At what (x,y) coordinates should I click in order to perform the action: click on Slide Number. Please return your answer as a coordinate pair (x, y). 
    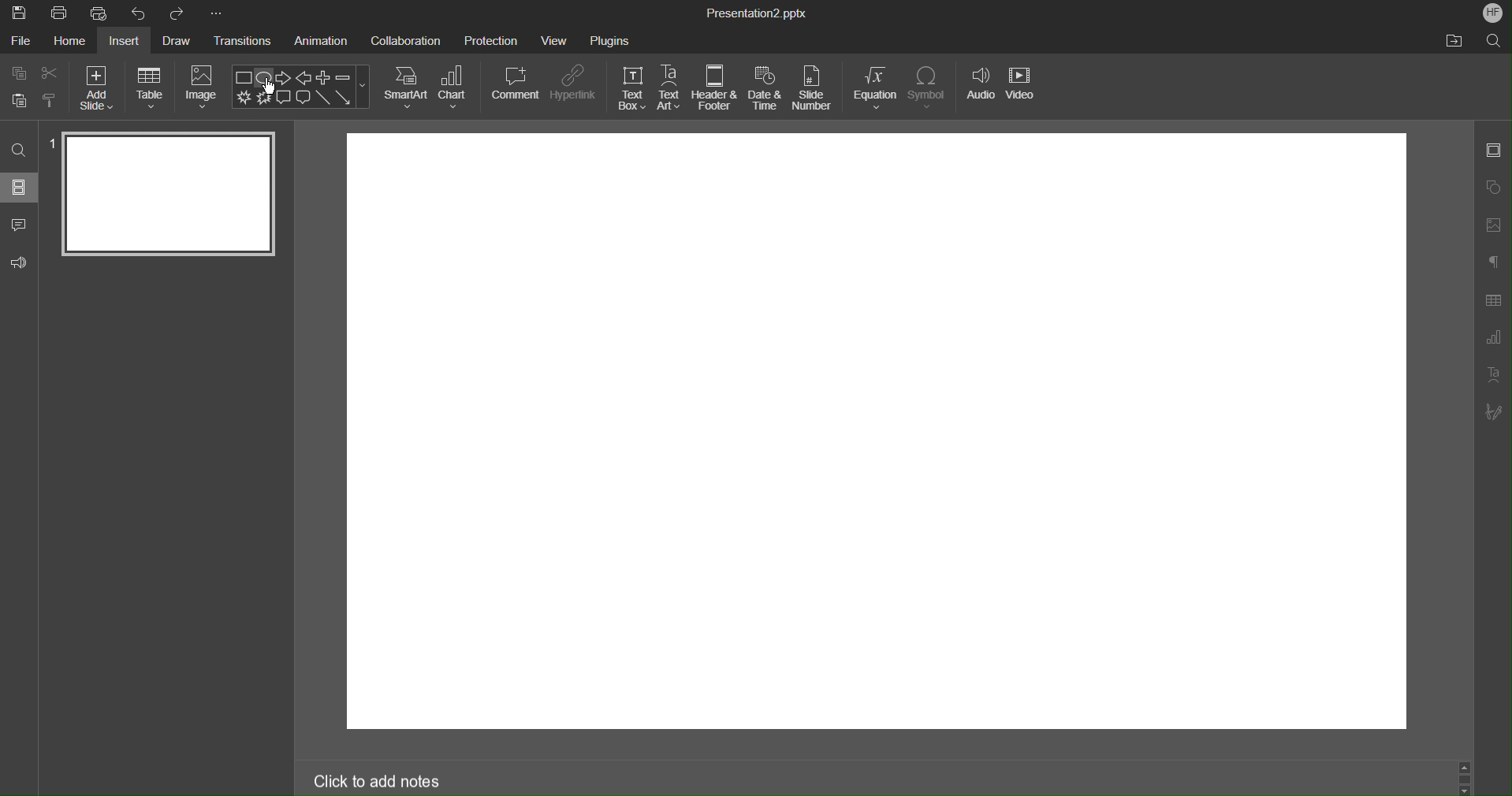
    Looking at the image, I should click on (815, 89).